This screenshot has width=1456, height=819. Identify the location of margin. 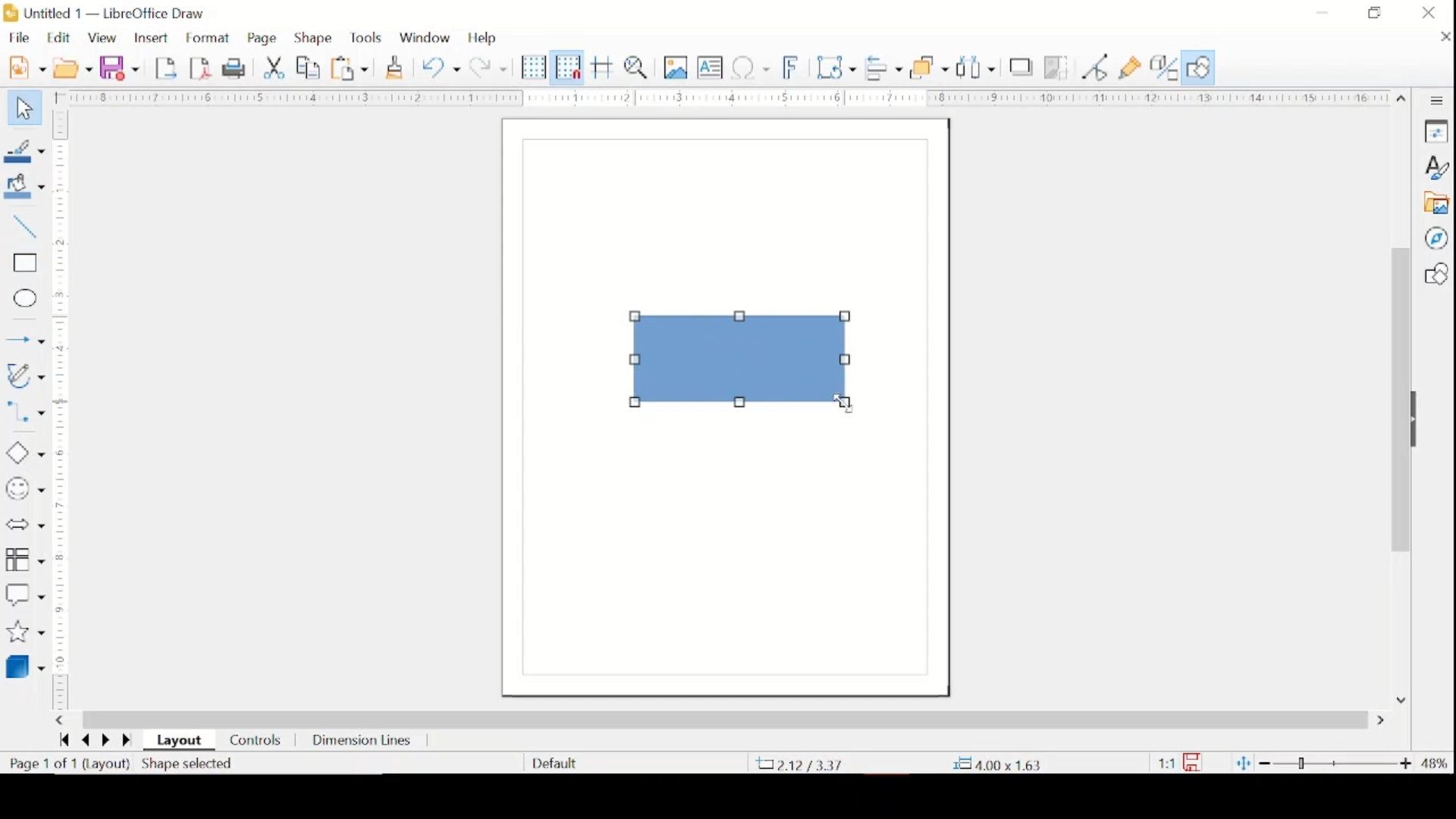
(61, 409).